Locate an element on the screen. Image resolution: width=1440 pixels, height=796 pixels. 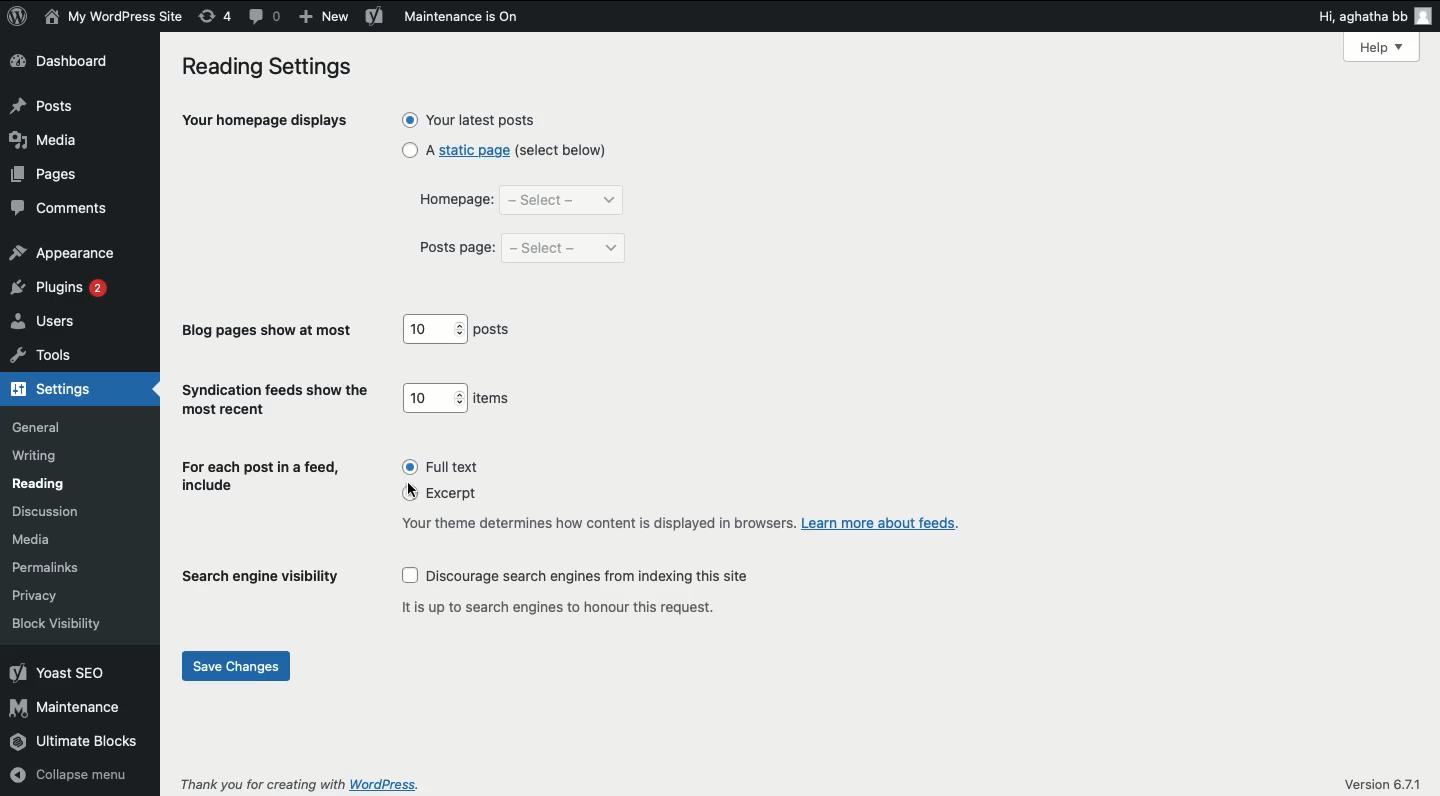
10 is located at coordinates (436, 327).